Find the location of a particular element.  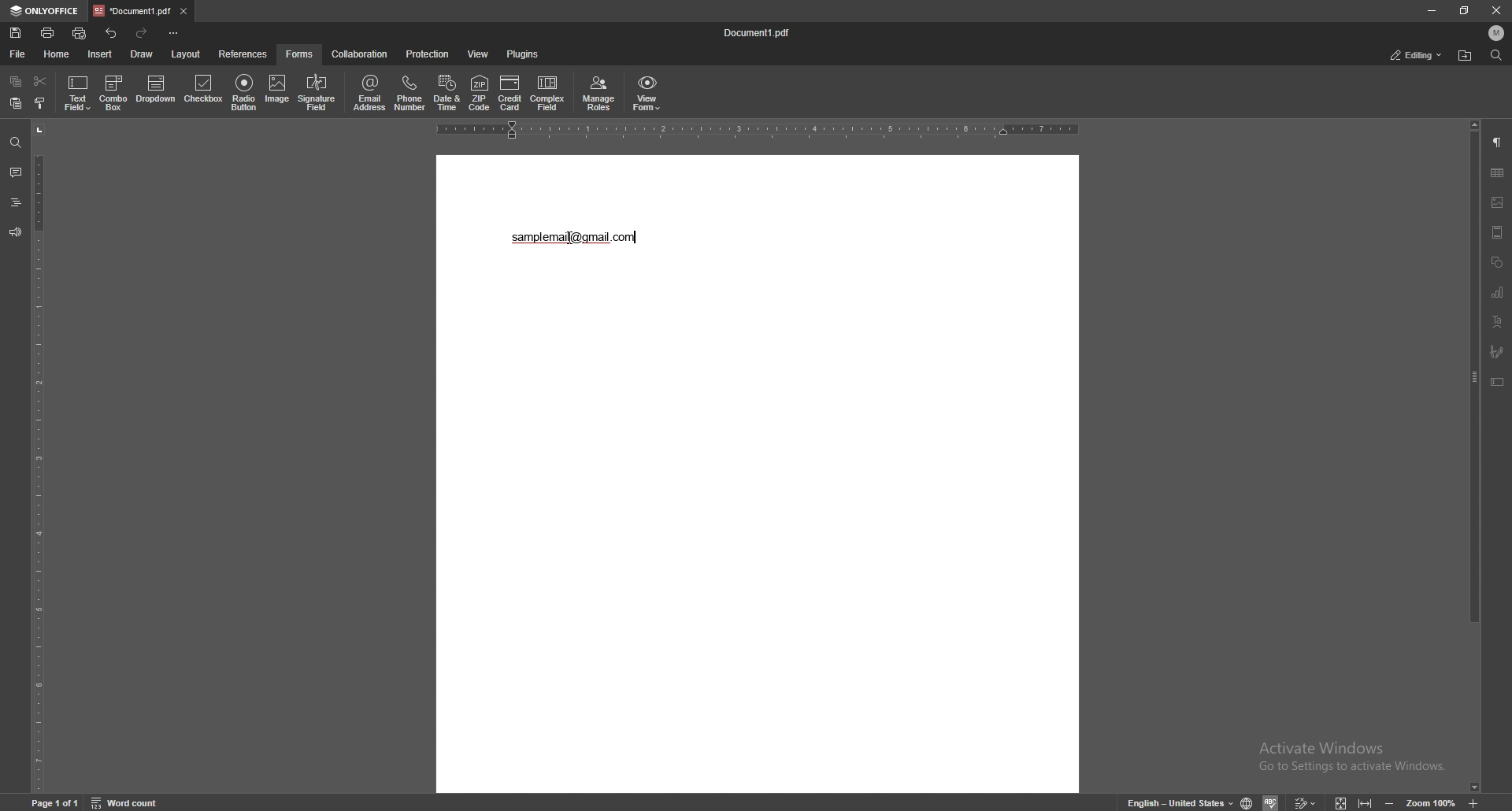

draw is located at coordinates (141, 54).